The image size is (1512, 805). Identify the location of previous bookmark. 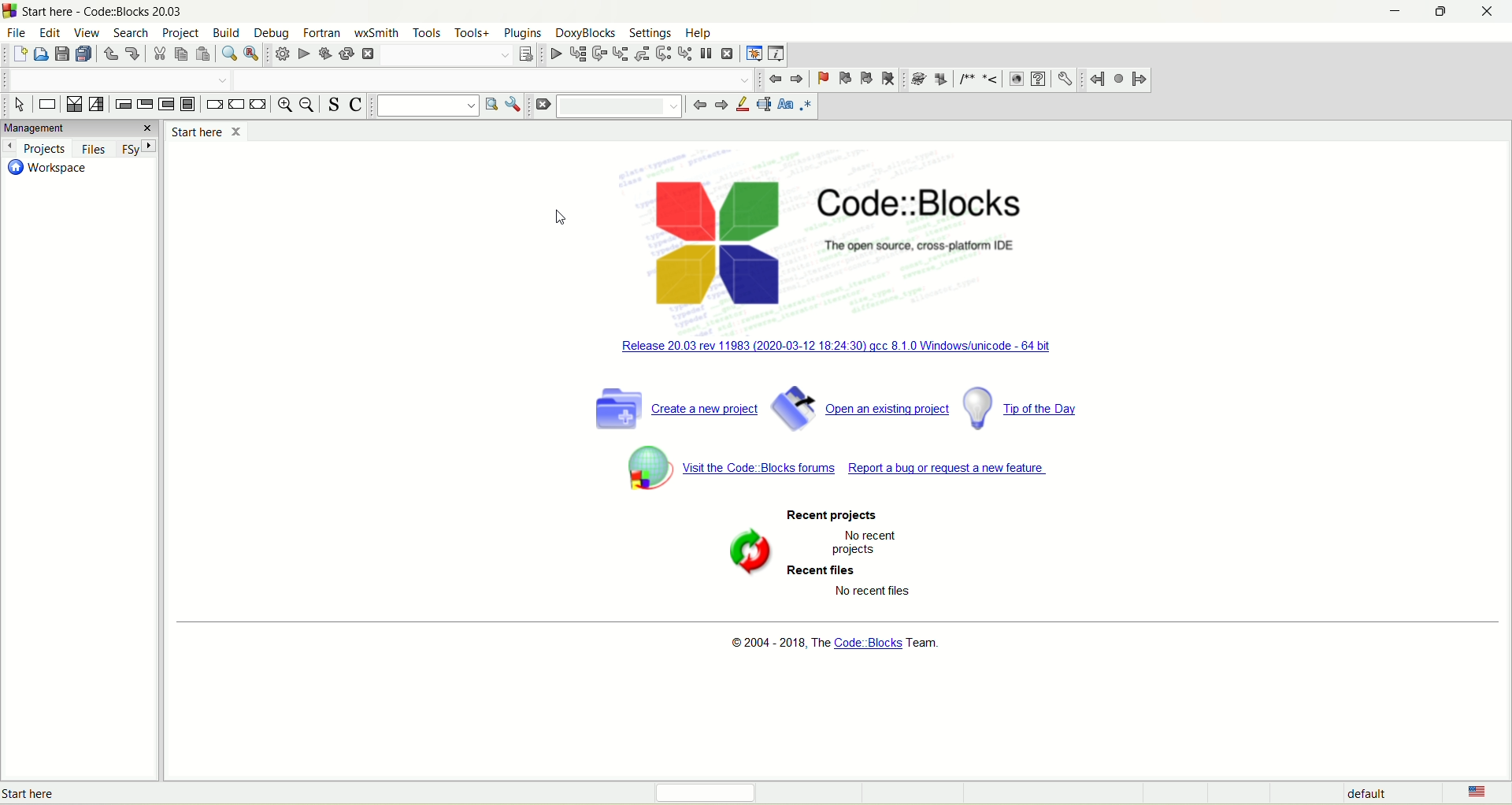
(844, 78).